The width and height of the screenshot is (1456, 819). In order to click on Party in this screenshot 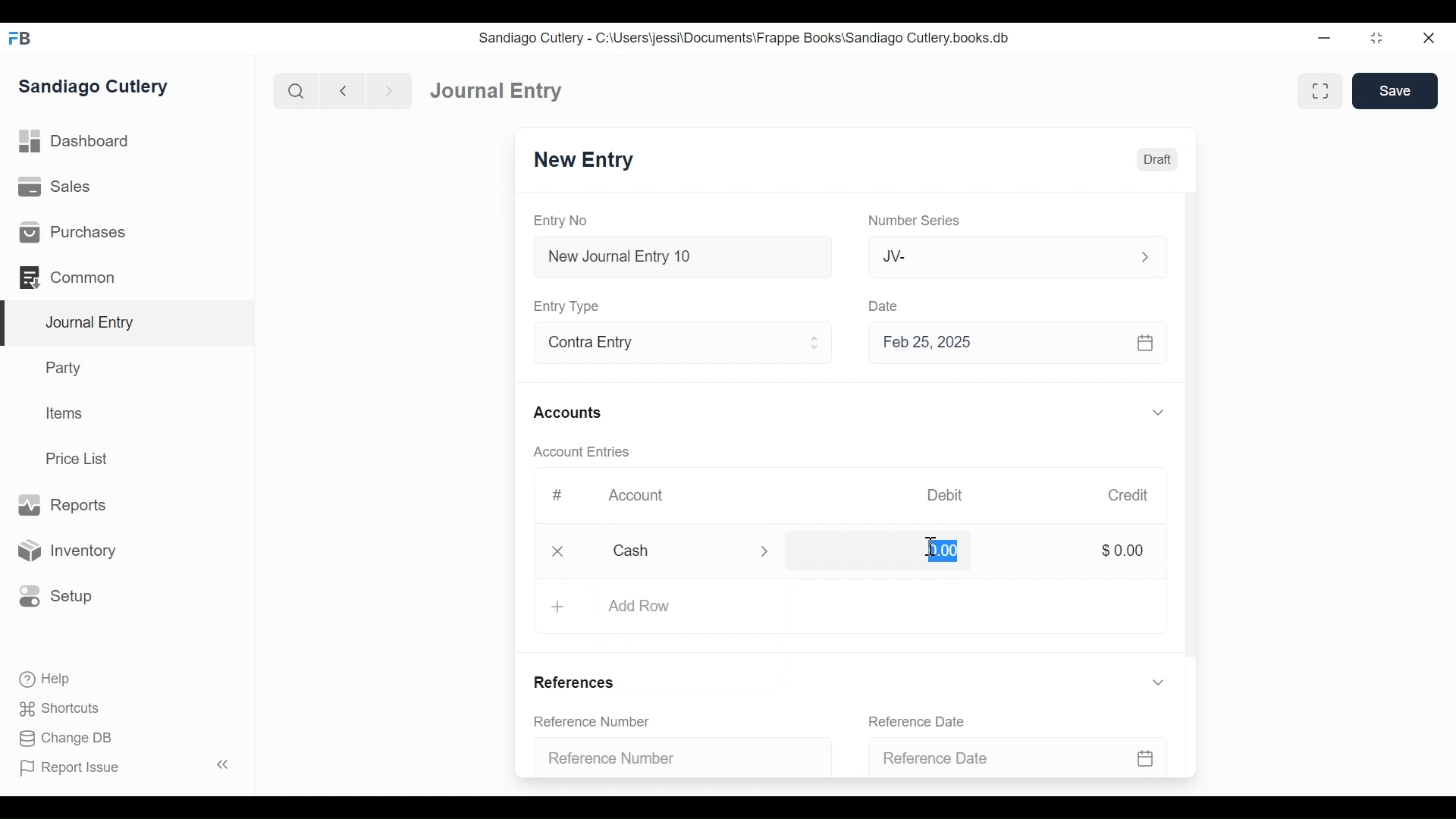, I will do `click(61, 368)`.